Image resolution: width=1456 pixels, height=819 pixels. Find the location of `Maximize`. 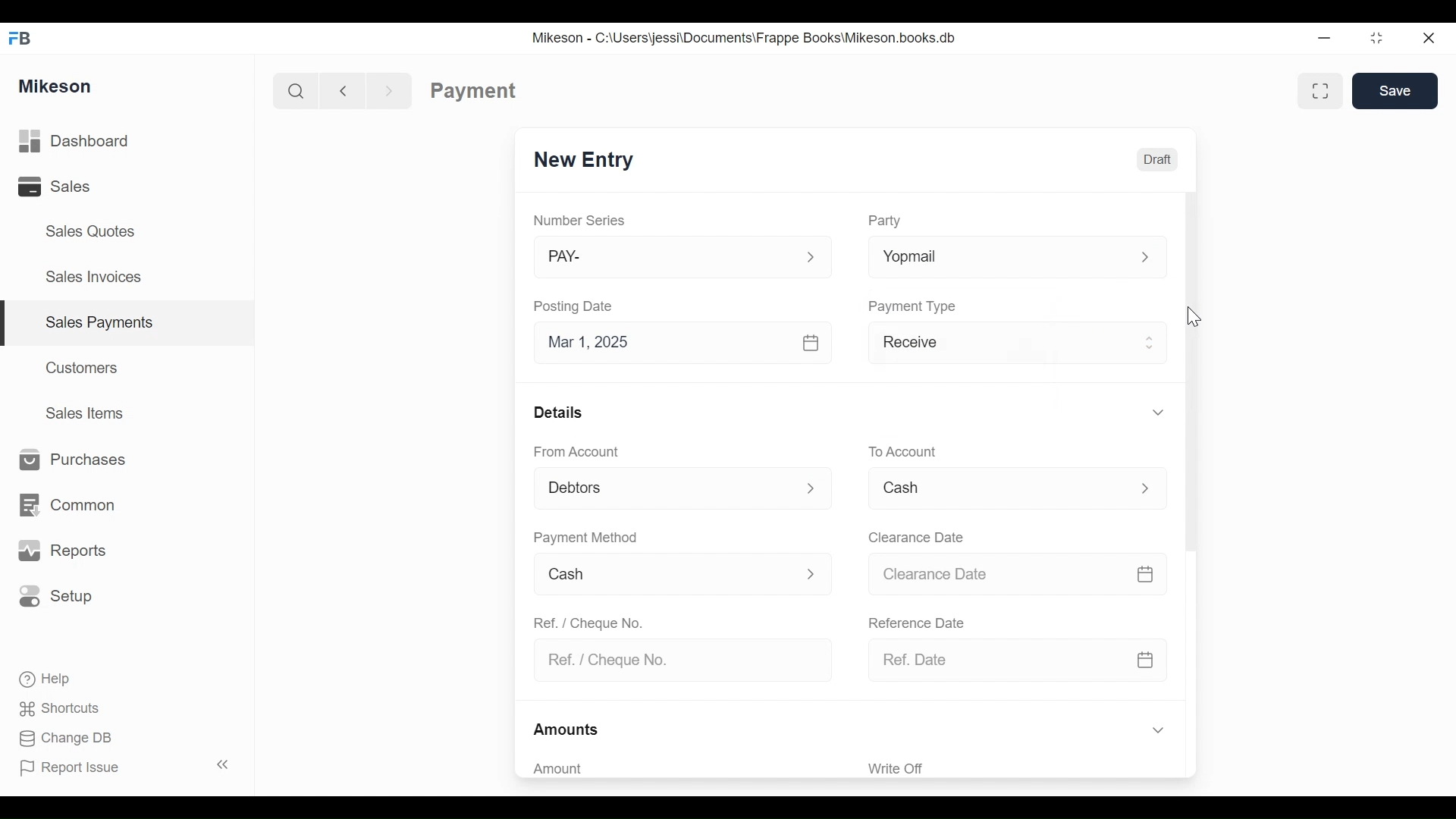

Maximize is located at coordinates (1374, 40).